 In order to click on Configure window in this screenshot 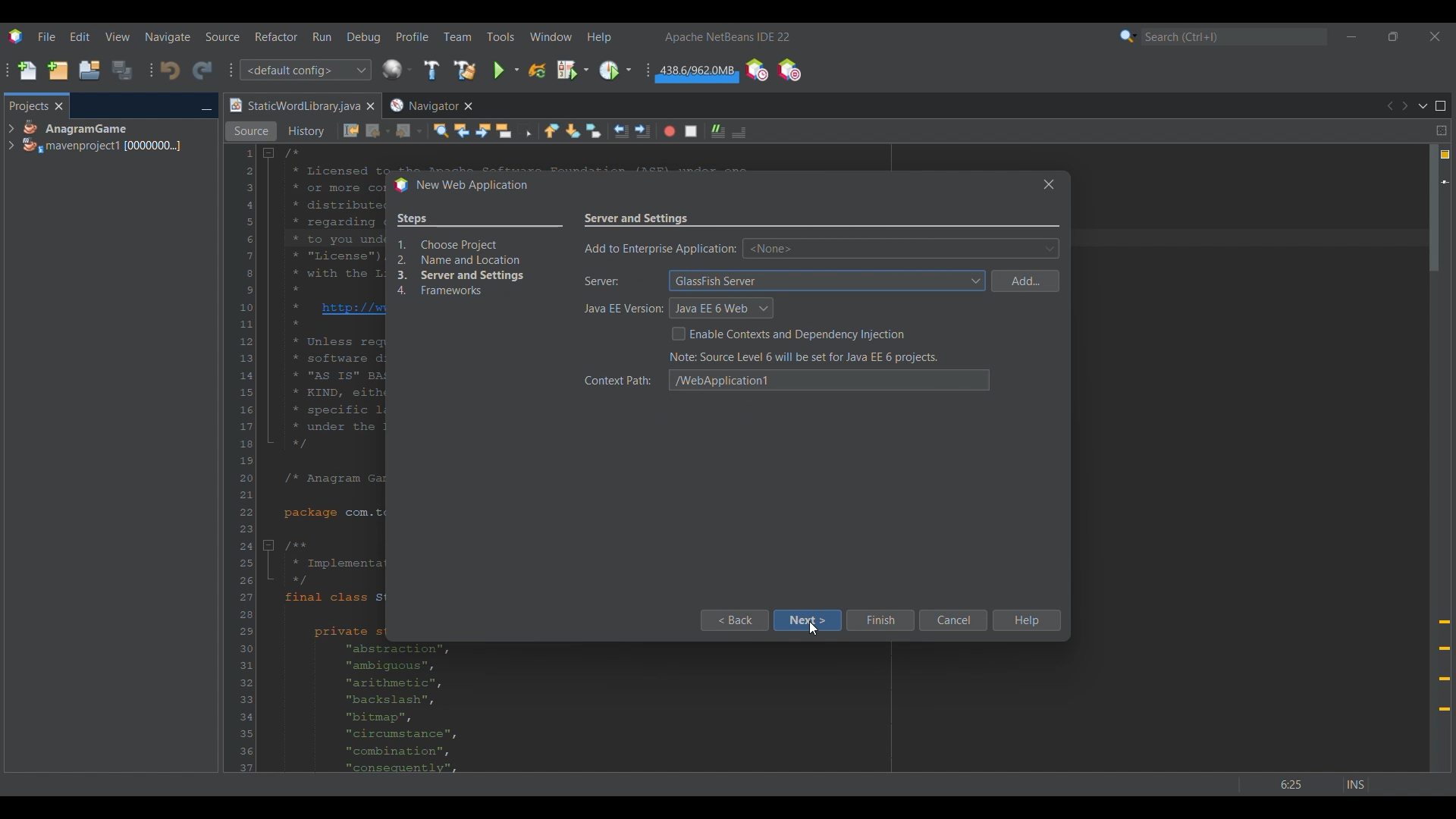, I will do `click(397, 69)`.